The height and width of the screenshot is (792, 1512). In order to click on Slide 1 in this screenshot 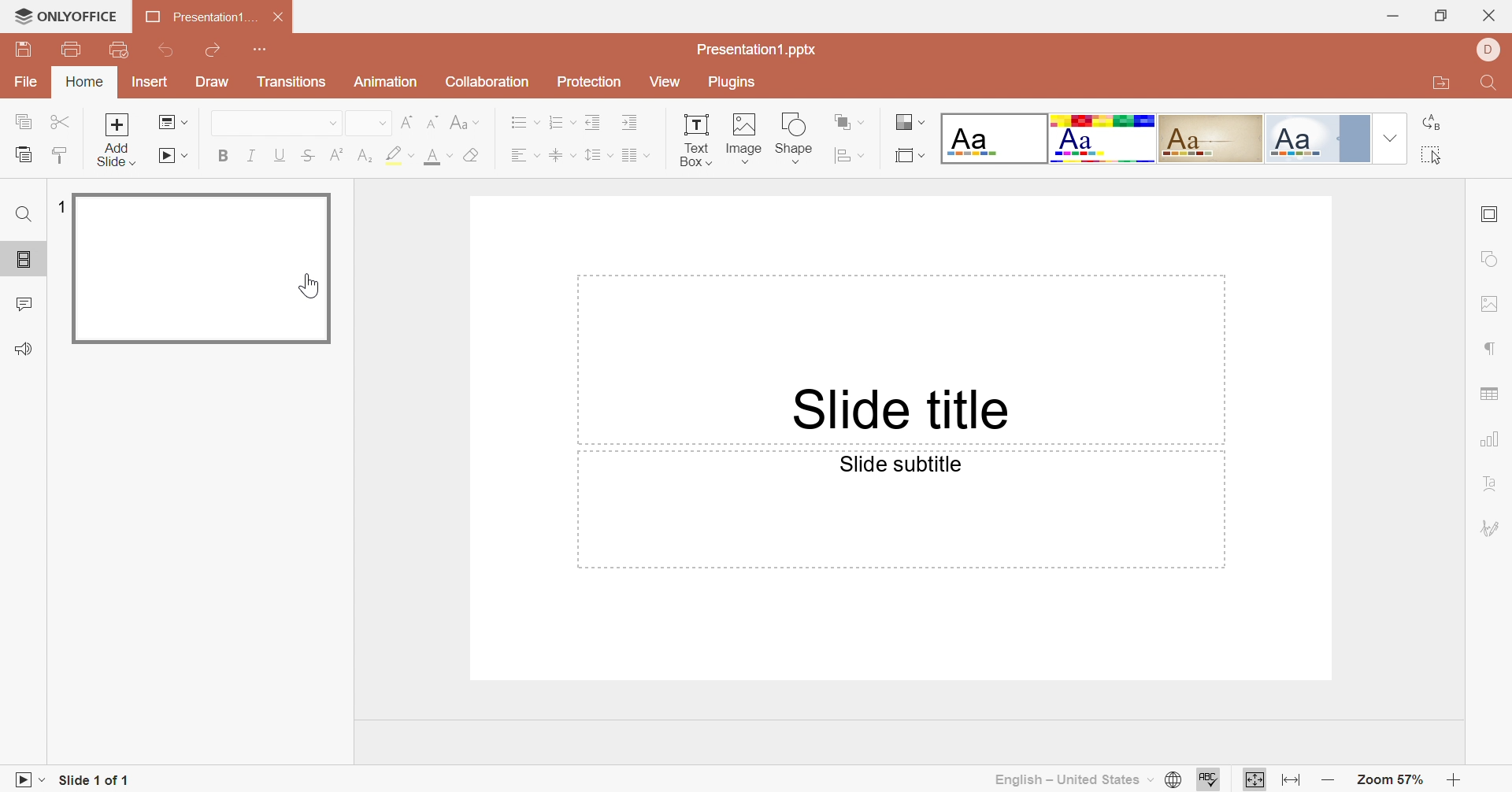, I will do `click(202, 268)`.